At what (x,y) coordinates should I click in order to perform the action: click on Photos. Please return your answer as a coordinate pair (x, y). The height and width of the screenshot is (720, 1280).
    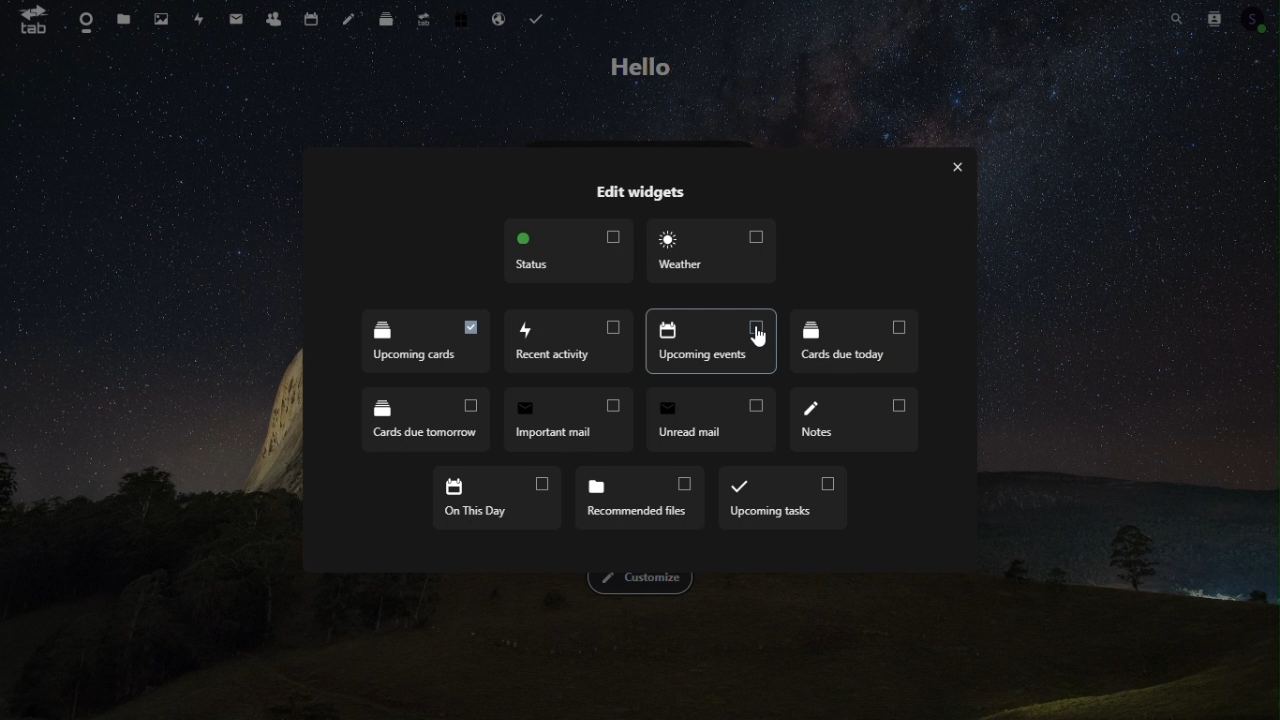
    Looking at the image, I should click on (163, 18).